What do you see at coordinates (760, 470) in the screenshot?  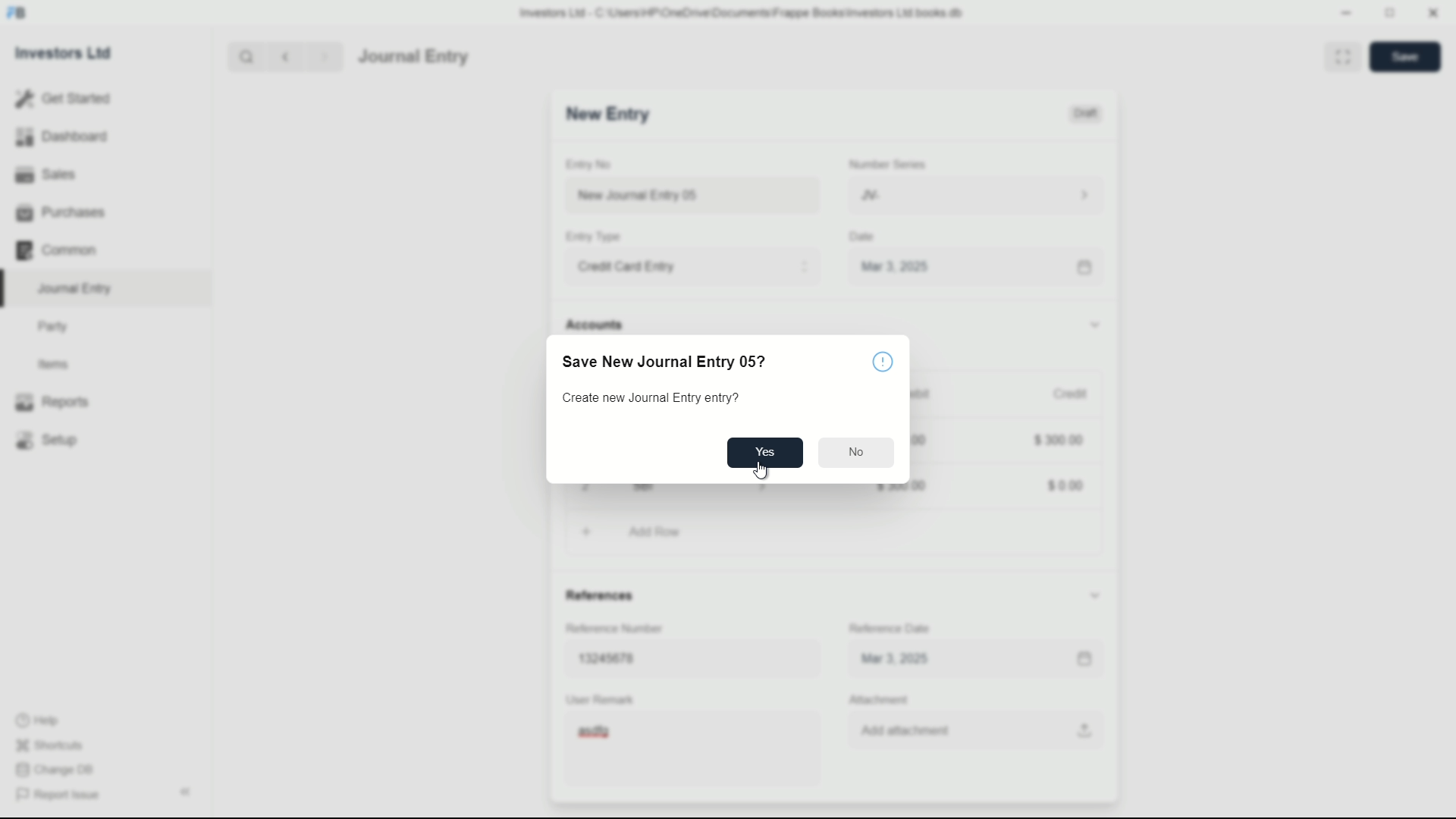 I see `cursor` at bounding box center [760, 470].